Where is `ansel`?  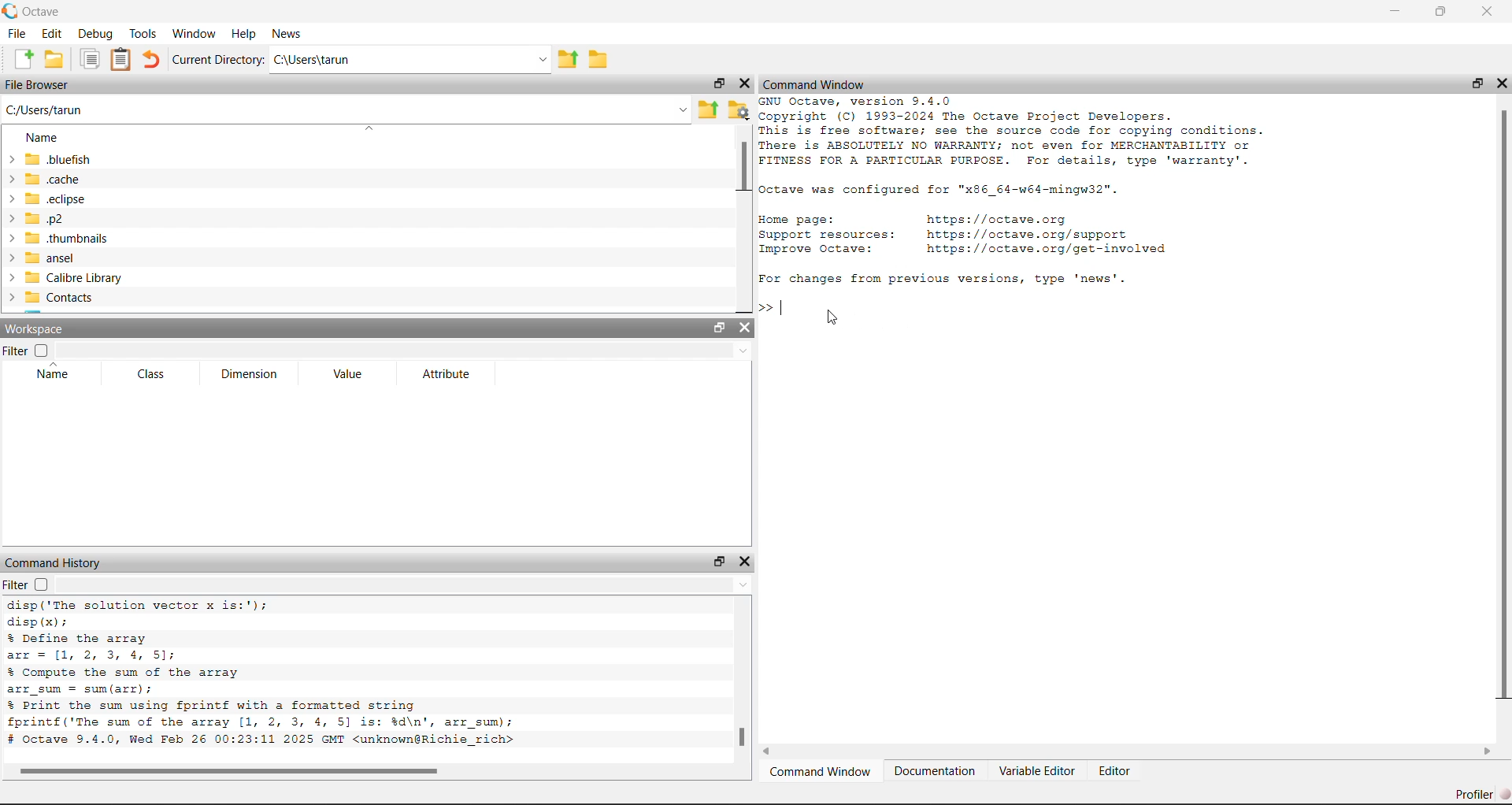 ansel is located at coordinates (51, 258).